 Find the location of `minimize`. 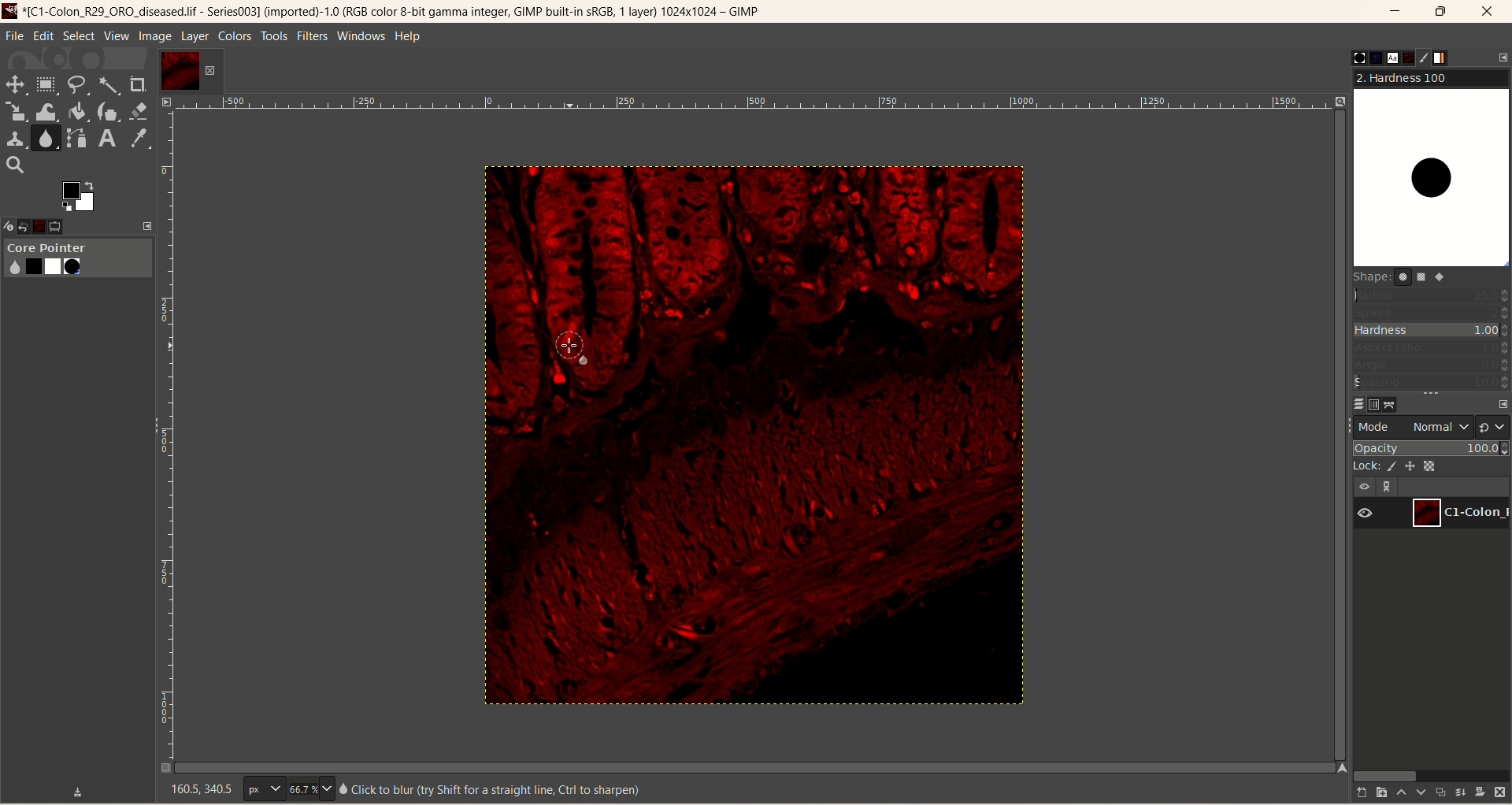

minimize is located at coordinates (1395, 14).